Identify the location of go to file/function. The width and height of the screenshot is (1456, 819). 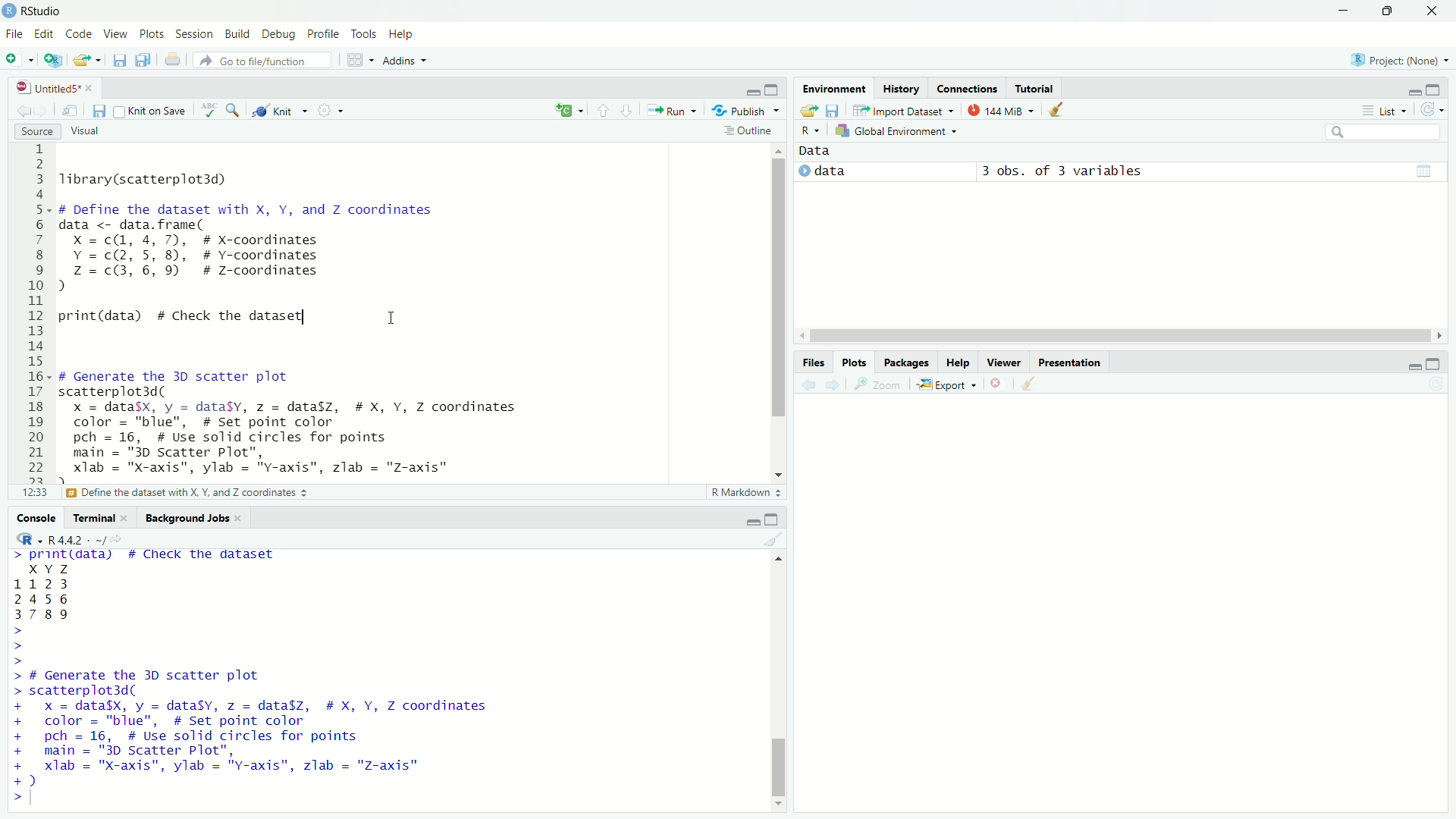
(266, 60).